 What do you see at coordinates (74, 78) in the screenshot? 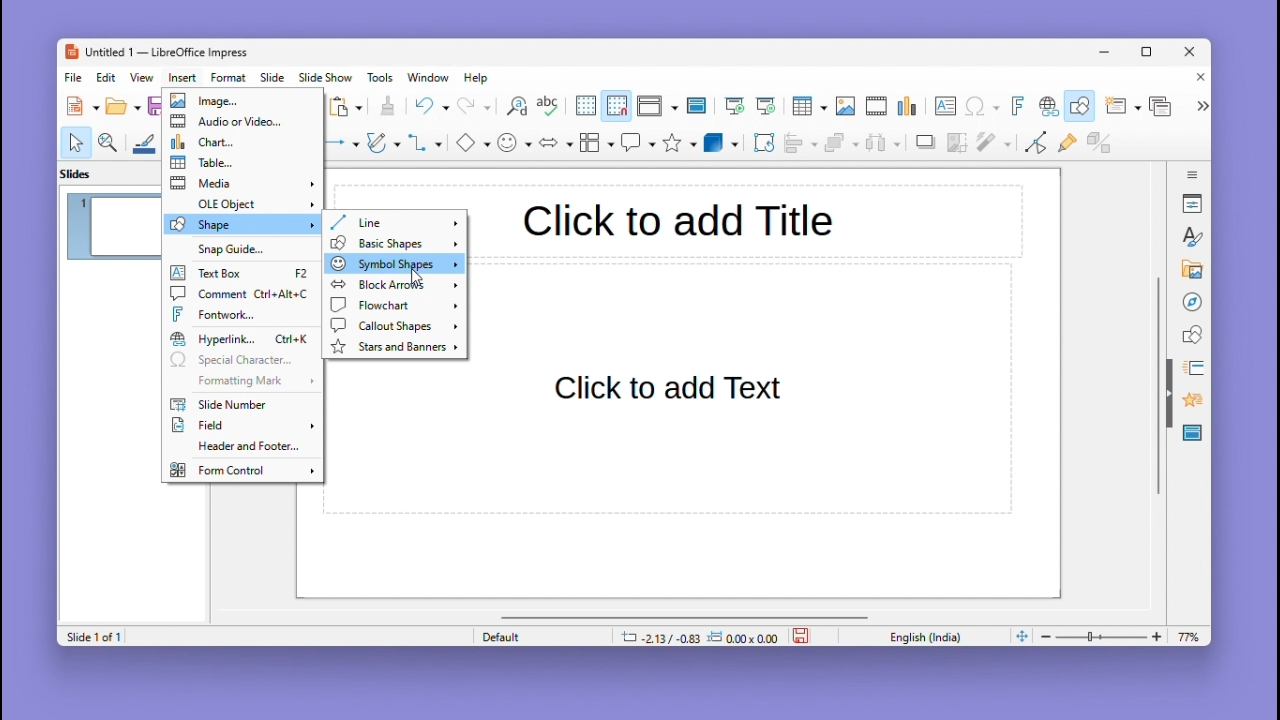
I see `File` at bounding box center [74, 78].